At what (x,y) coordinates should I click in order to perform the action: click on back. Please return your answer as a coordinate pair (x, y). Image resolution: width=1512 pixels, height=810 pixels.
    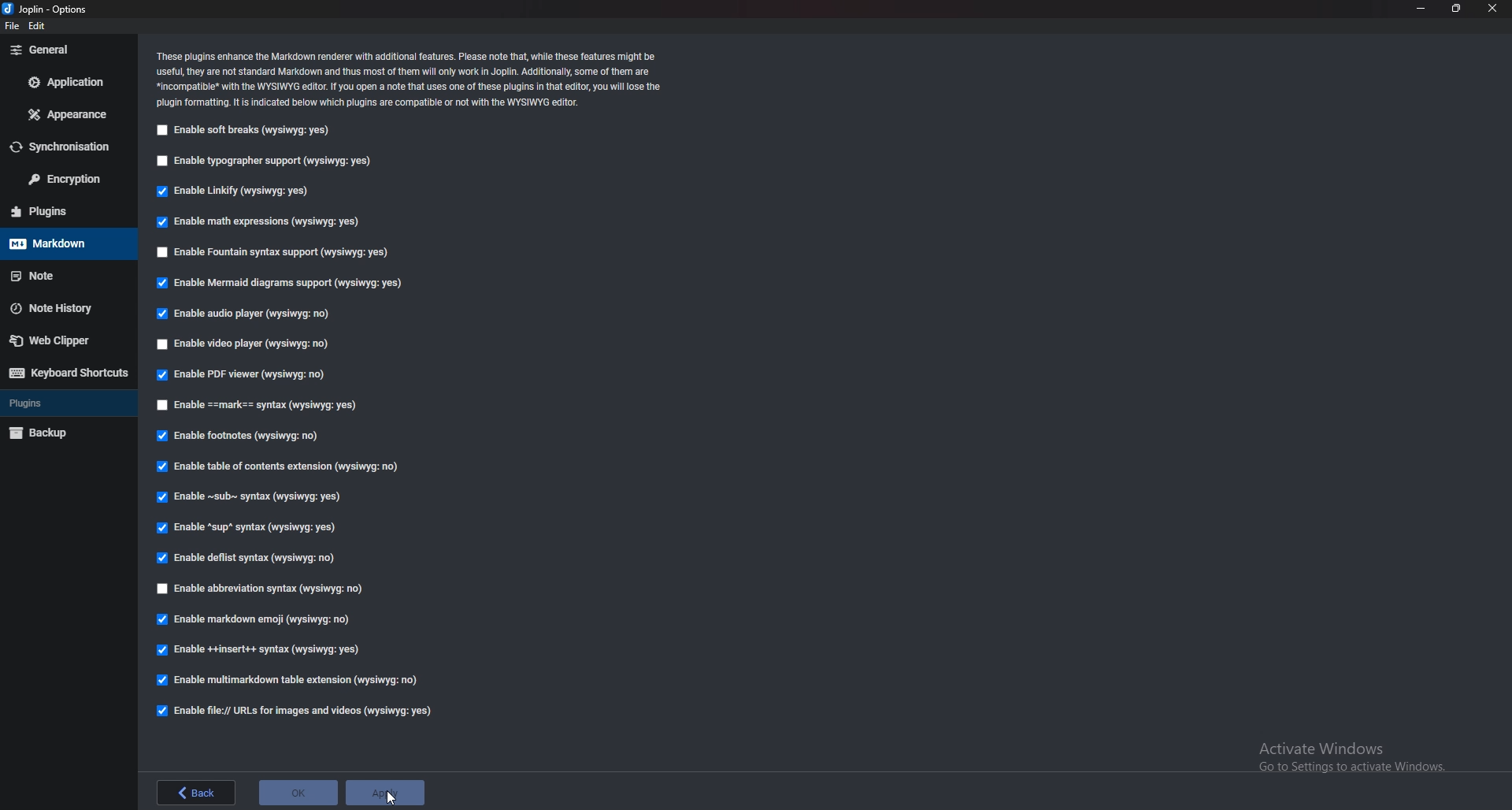
    Looking at the image, I should click on (199, 792).